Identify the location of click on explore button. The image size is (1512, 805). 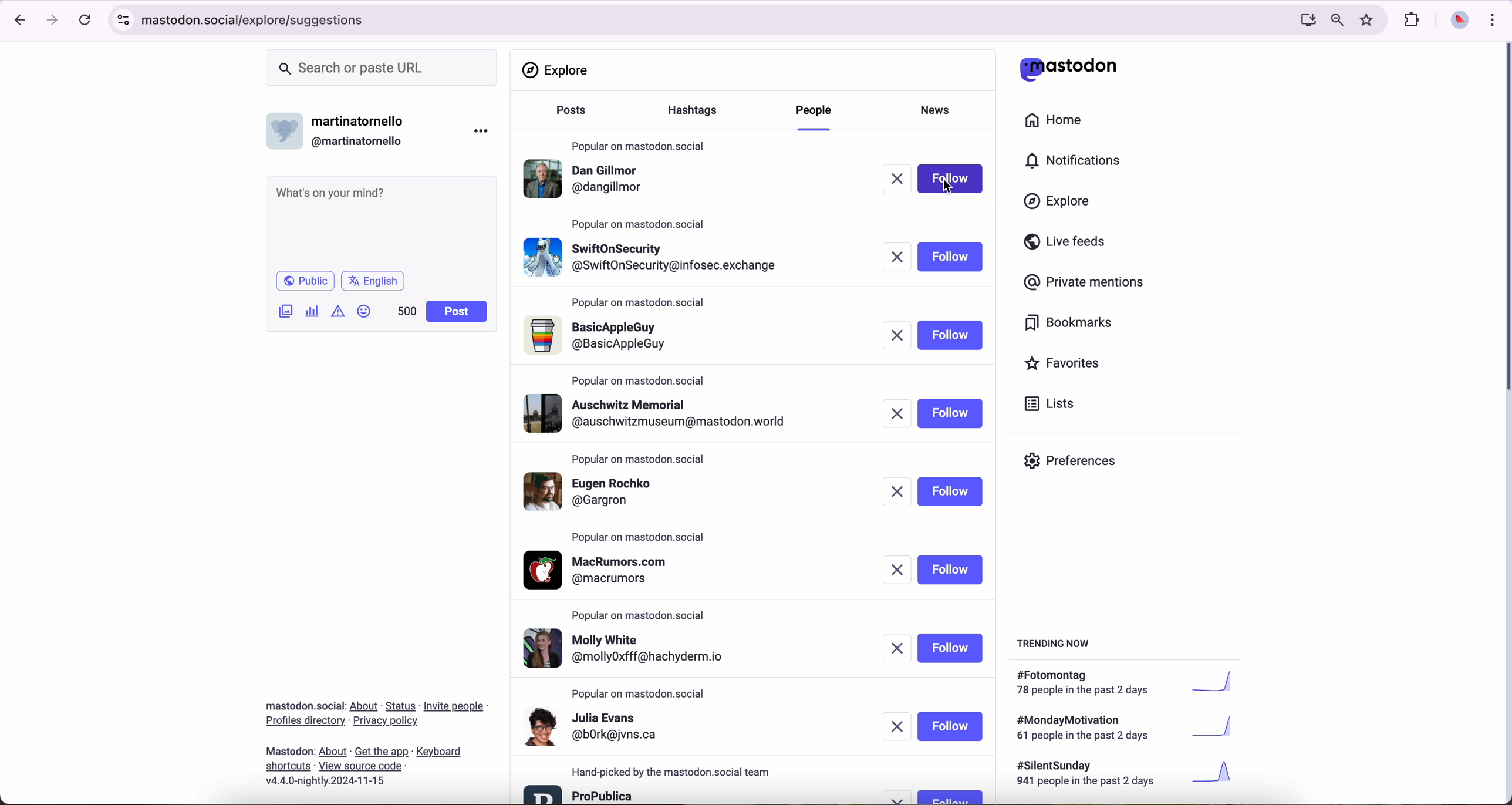
(1060, 207).